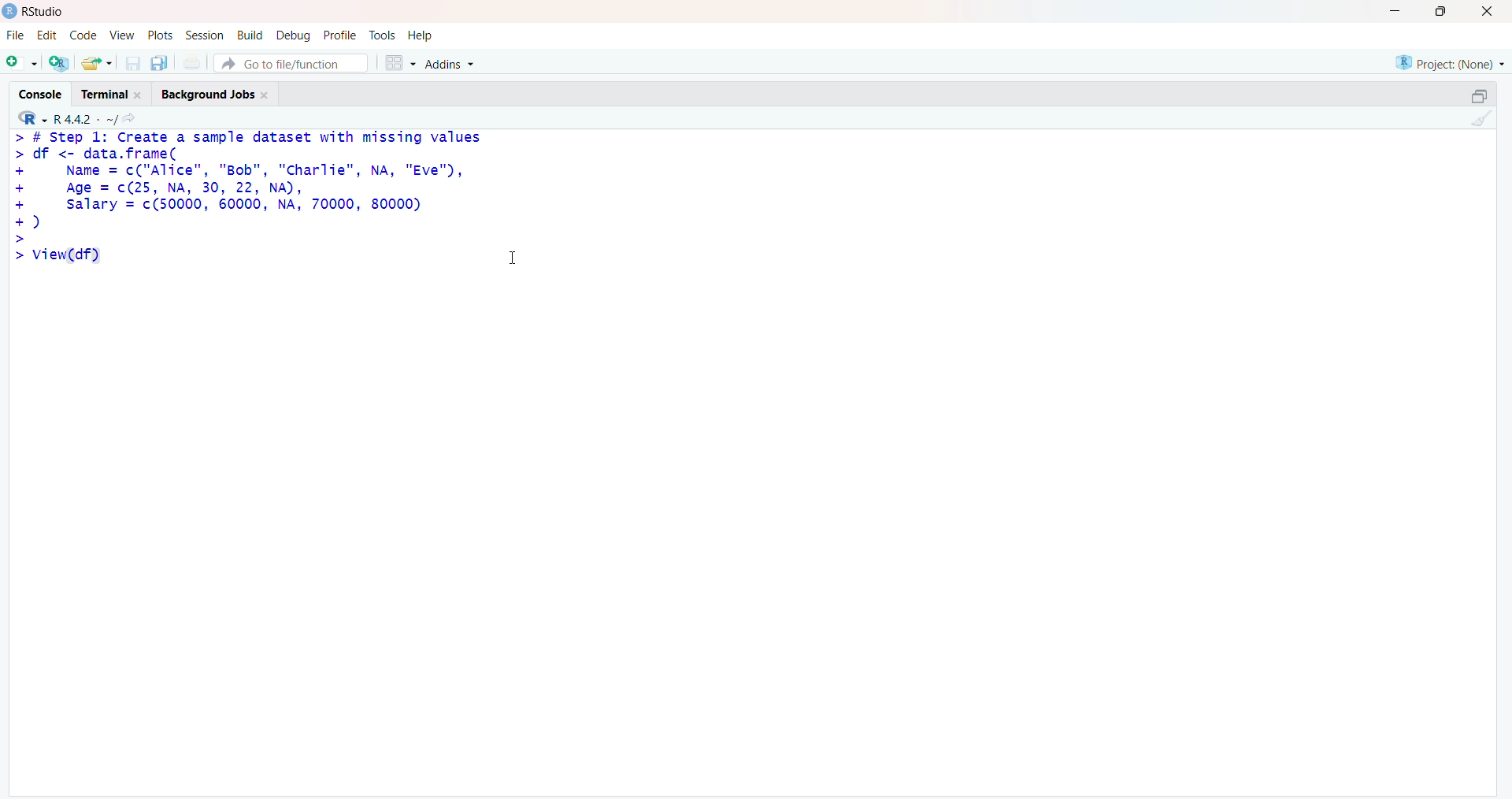  What do you see at coordinates (295, 34) in the screenshot?
I see `Debug` at bounding box center [295, 34].